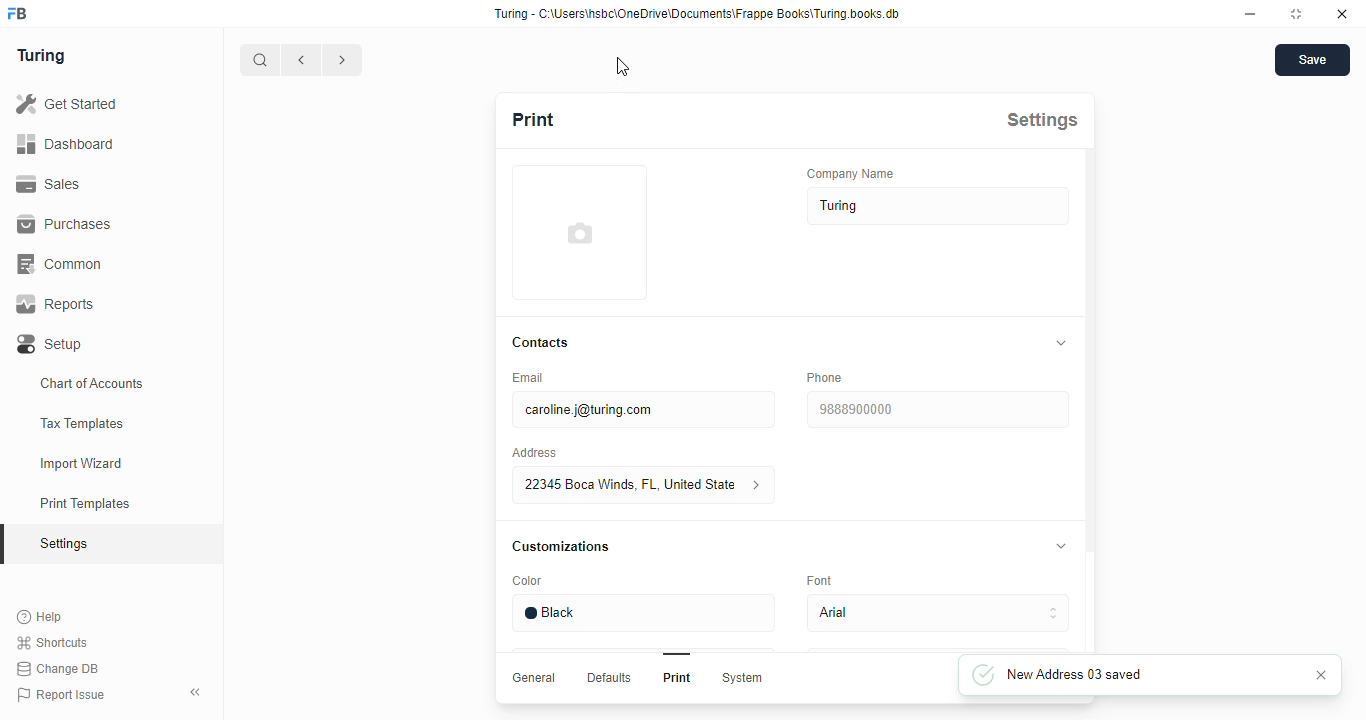  I want to click on close, so click(1322, 675).